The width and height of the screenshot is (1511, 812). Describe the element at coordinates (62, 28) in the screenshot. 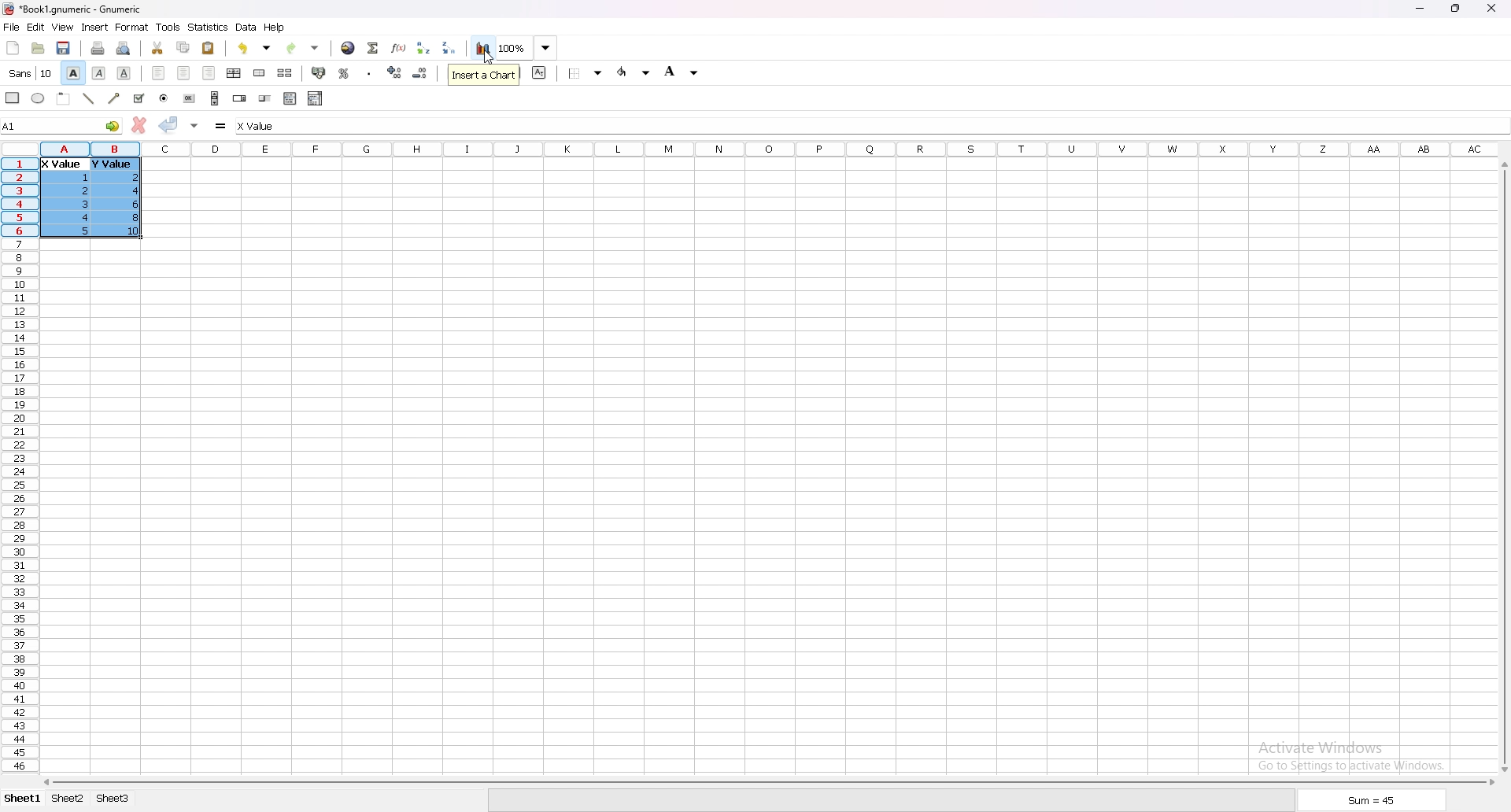

I see `view` at that location.